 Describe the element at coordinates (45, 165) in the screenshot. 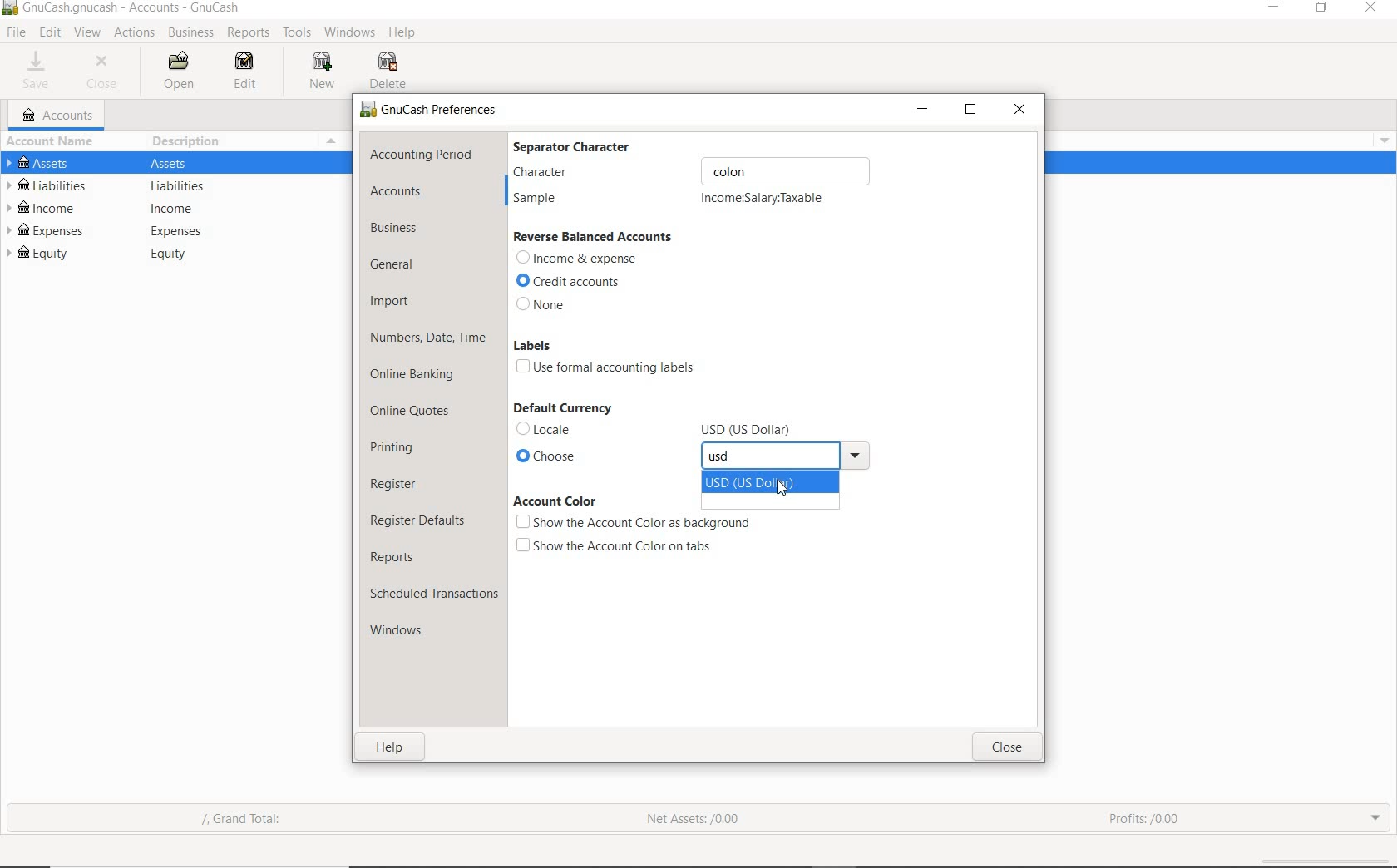

I see `ASSETS` at that location.